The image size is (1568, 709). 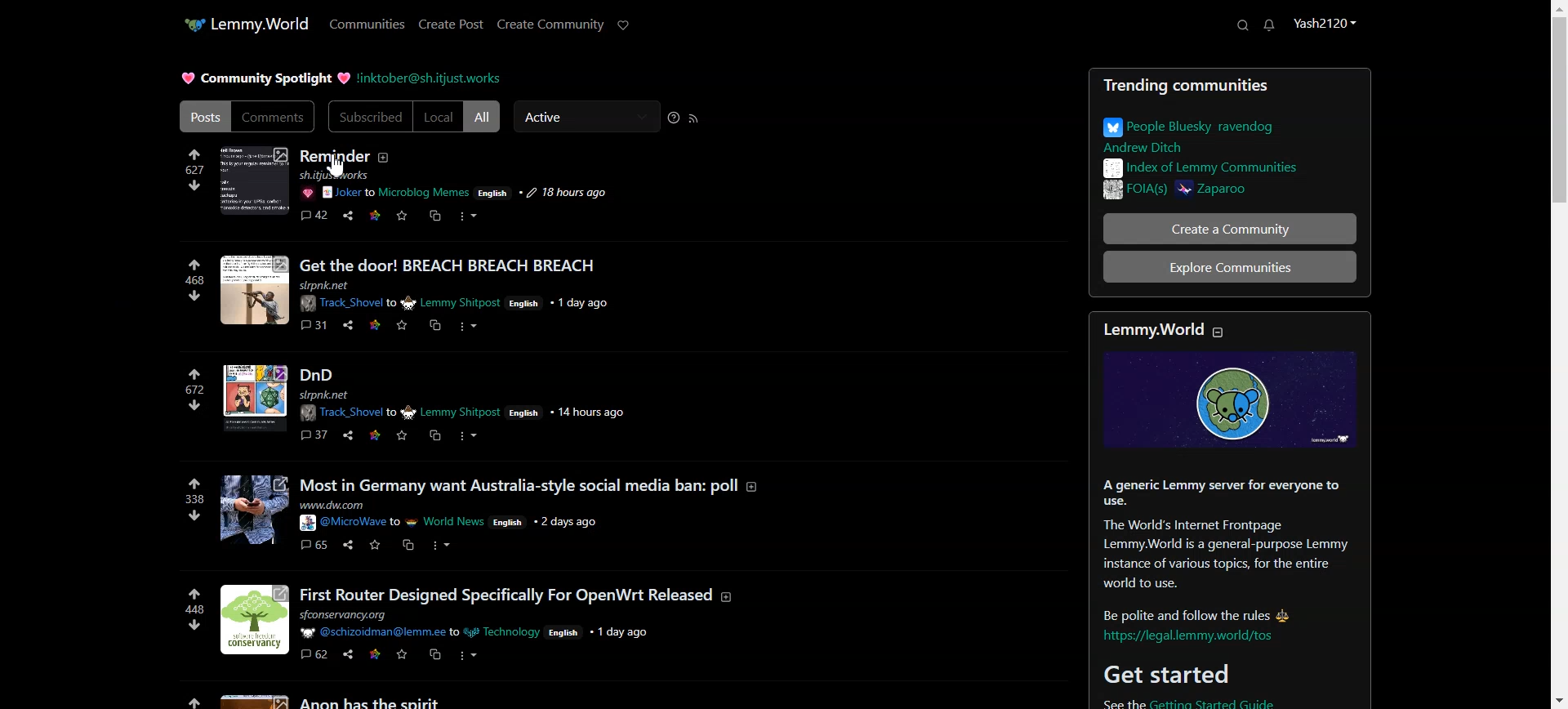 I want to click on Local, so click(x=439, y=117).